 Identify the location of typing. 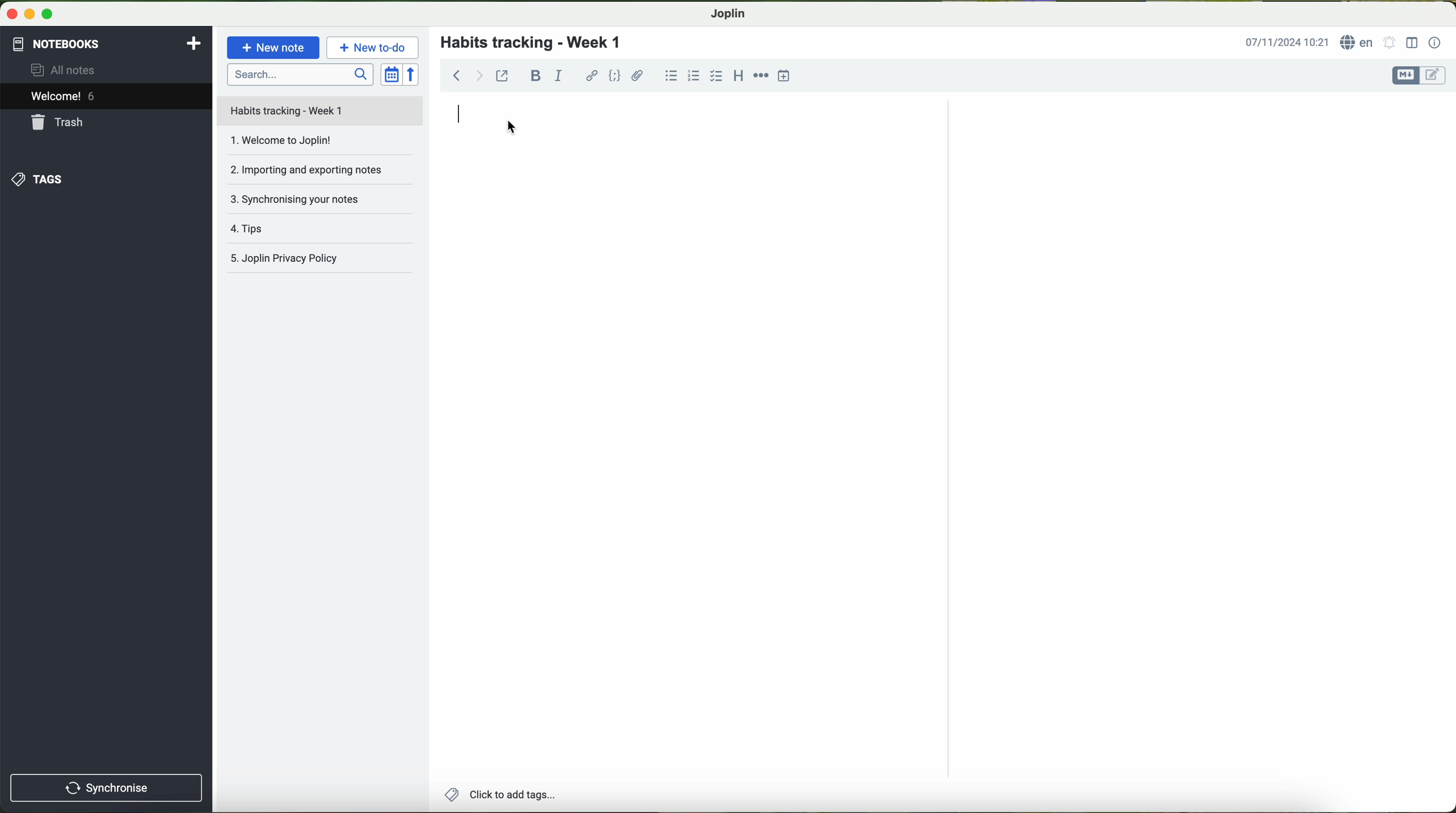
(462, 118).